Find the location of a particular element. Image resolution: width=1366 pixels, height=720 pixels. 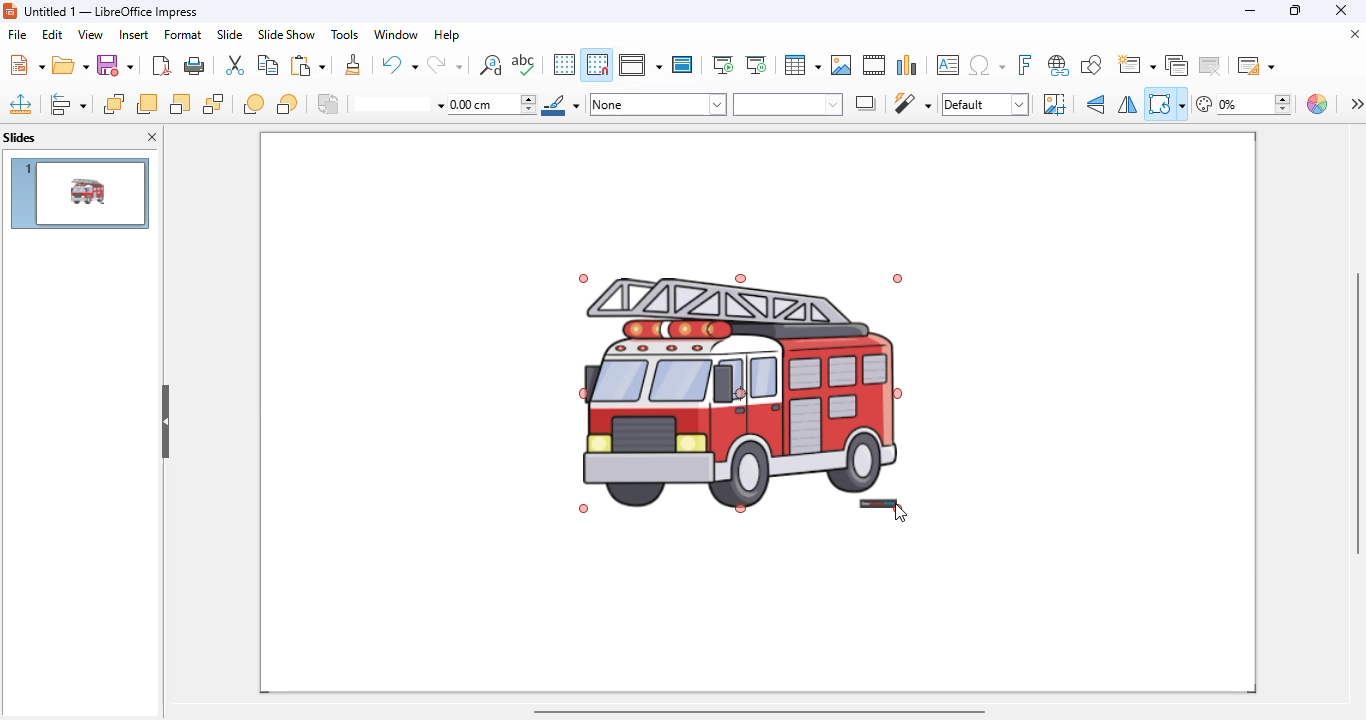

bring to front is located at coordinates (114, 104).